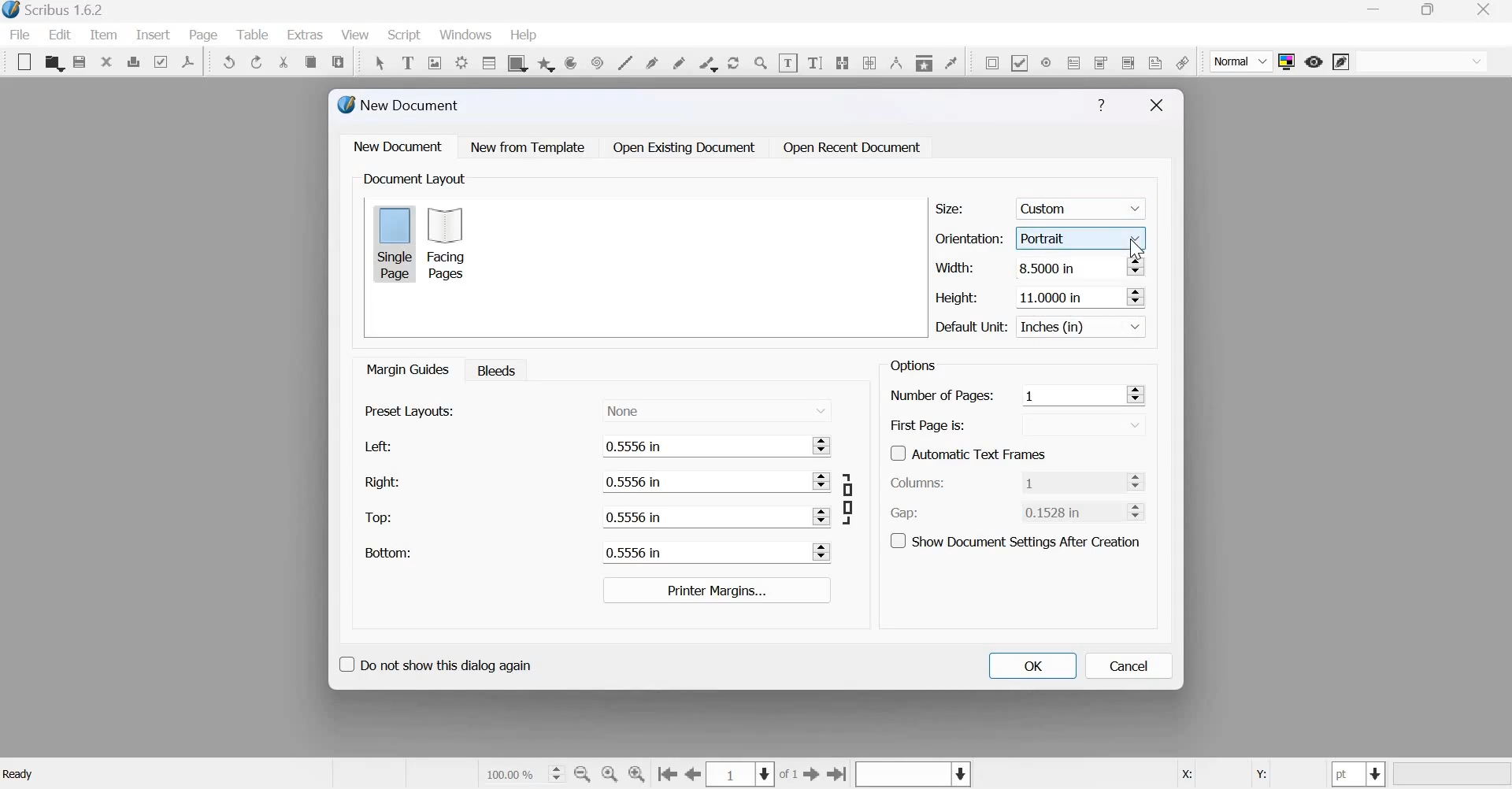 The width and height of the screenshot is (1512, 789). What do you see at coordinates (284, 62) in the screenshot?
I see `cut` at bounding box center [284, 62].